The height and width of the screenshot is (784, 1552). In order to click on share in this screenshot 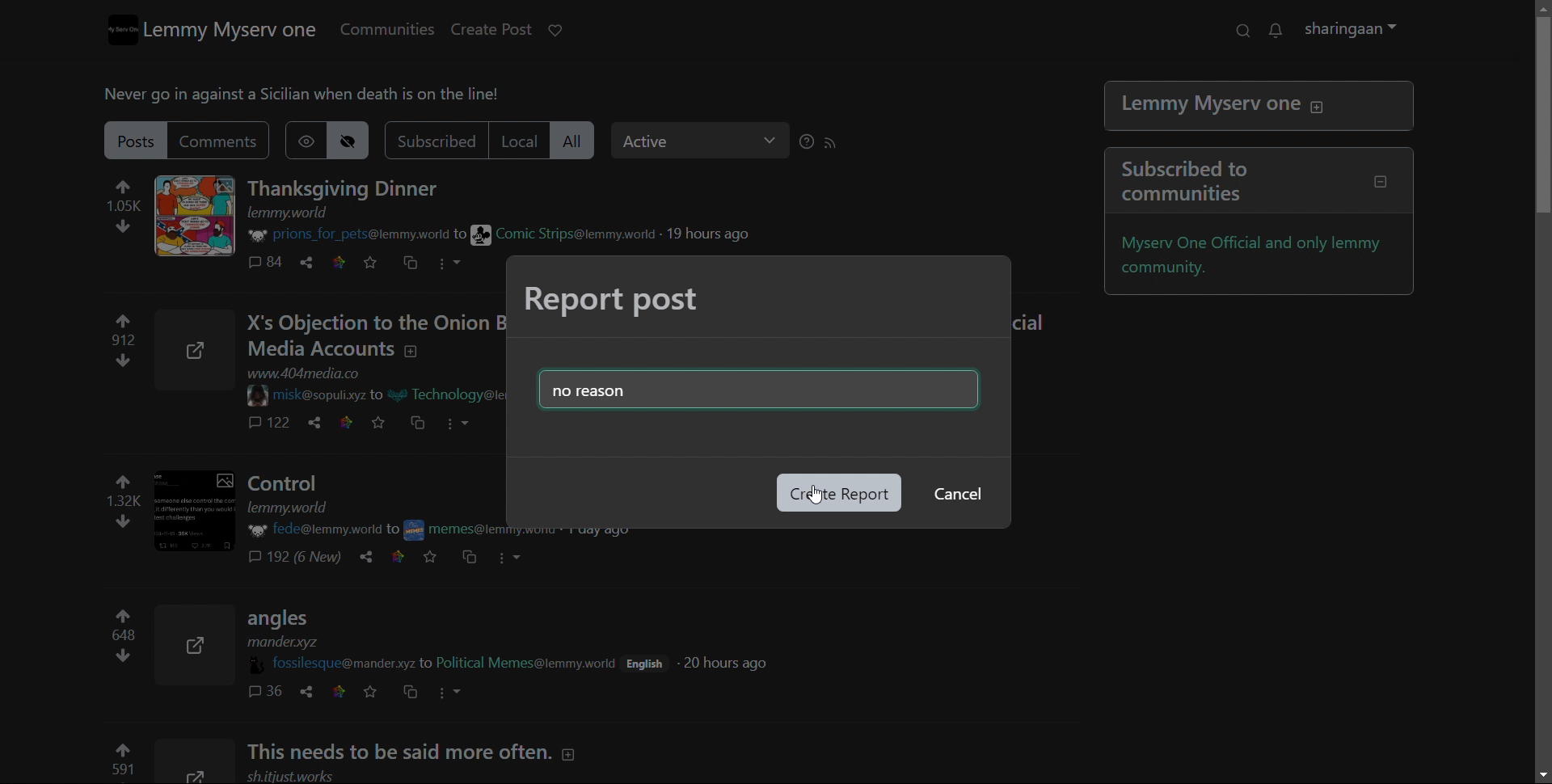, I will do `click(373, 558)`.